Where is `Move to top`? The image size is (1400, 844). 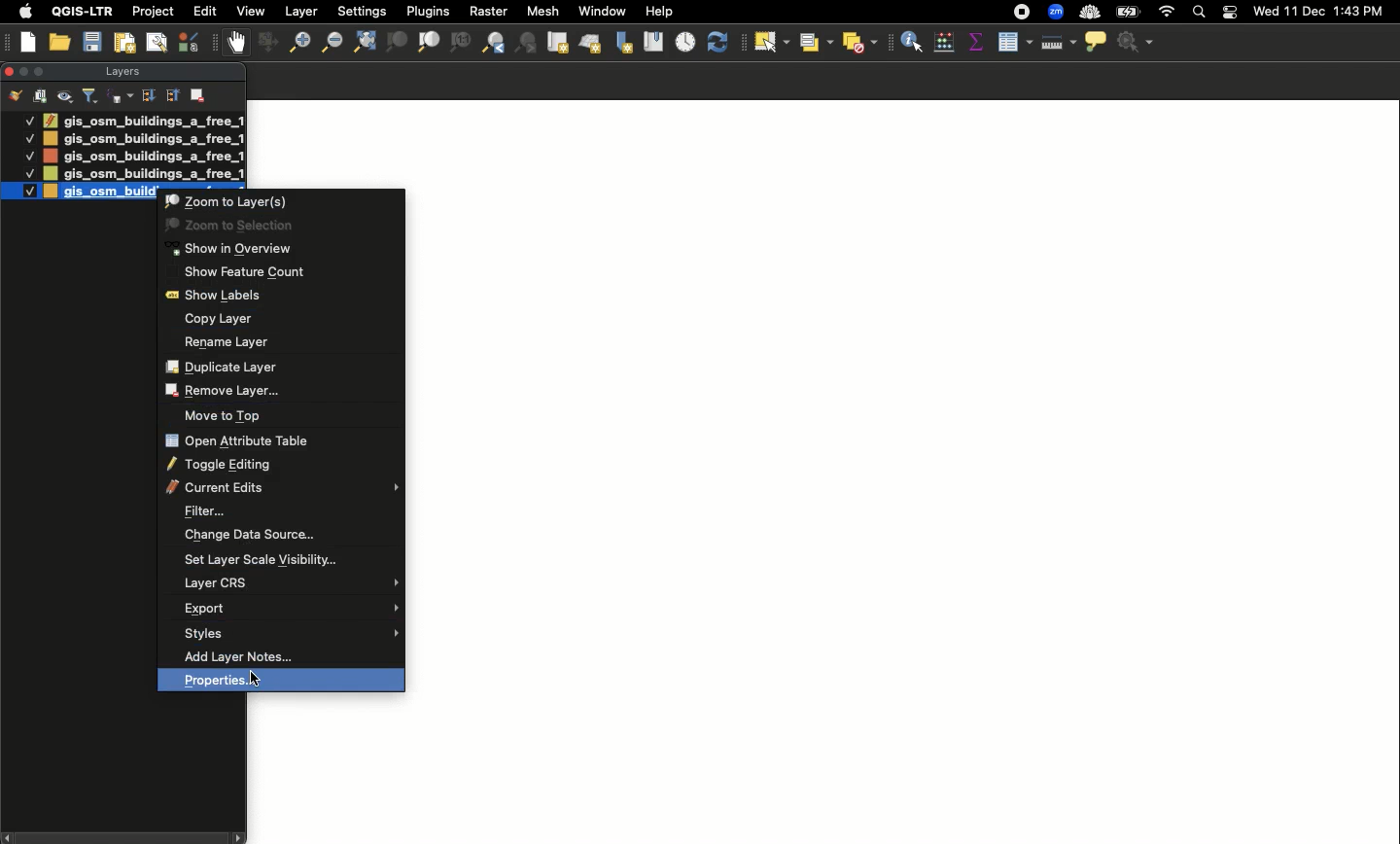
Move to top is located at coordinates (278, 415).